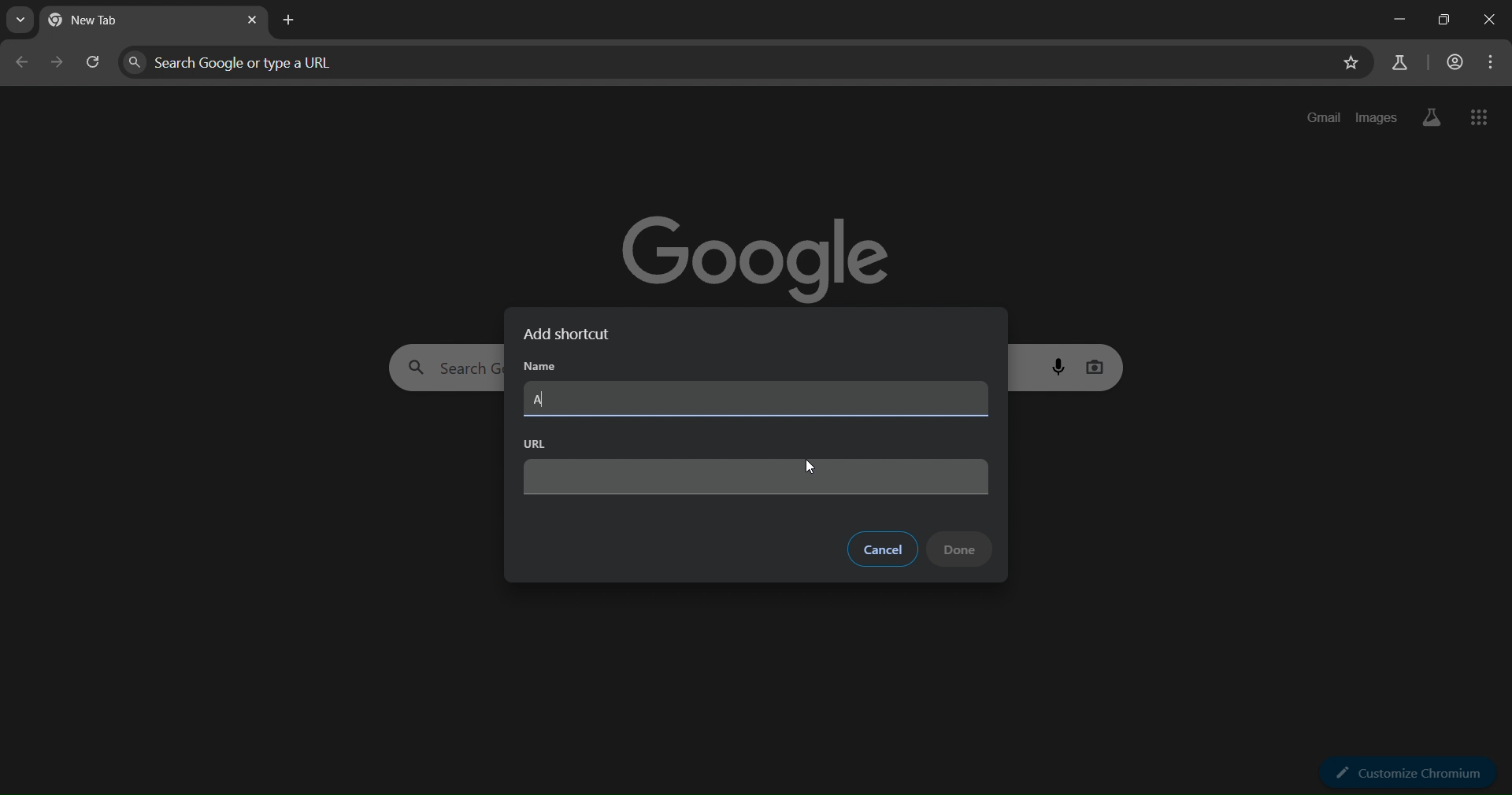  What do you see at coordinates (810, 468) in the screenshot?
I see `cursor` at bounding box center [810, 468].